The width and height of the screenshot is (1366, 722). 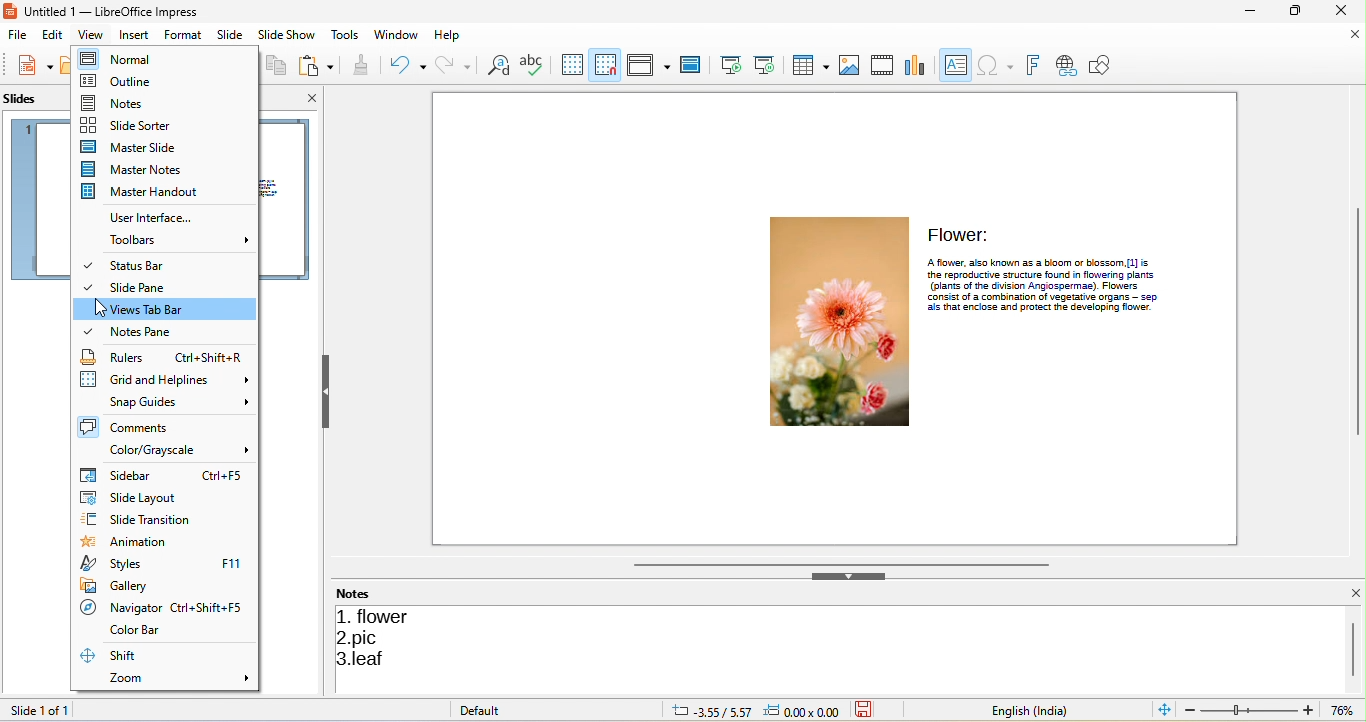 What do you see at coordinates (287, 35) in the screenshot?
I see `slideshow` at bounding box center [287, 35].